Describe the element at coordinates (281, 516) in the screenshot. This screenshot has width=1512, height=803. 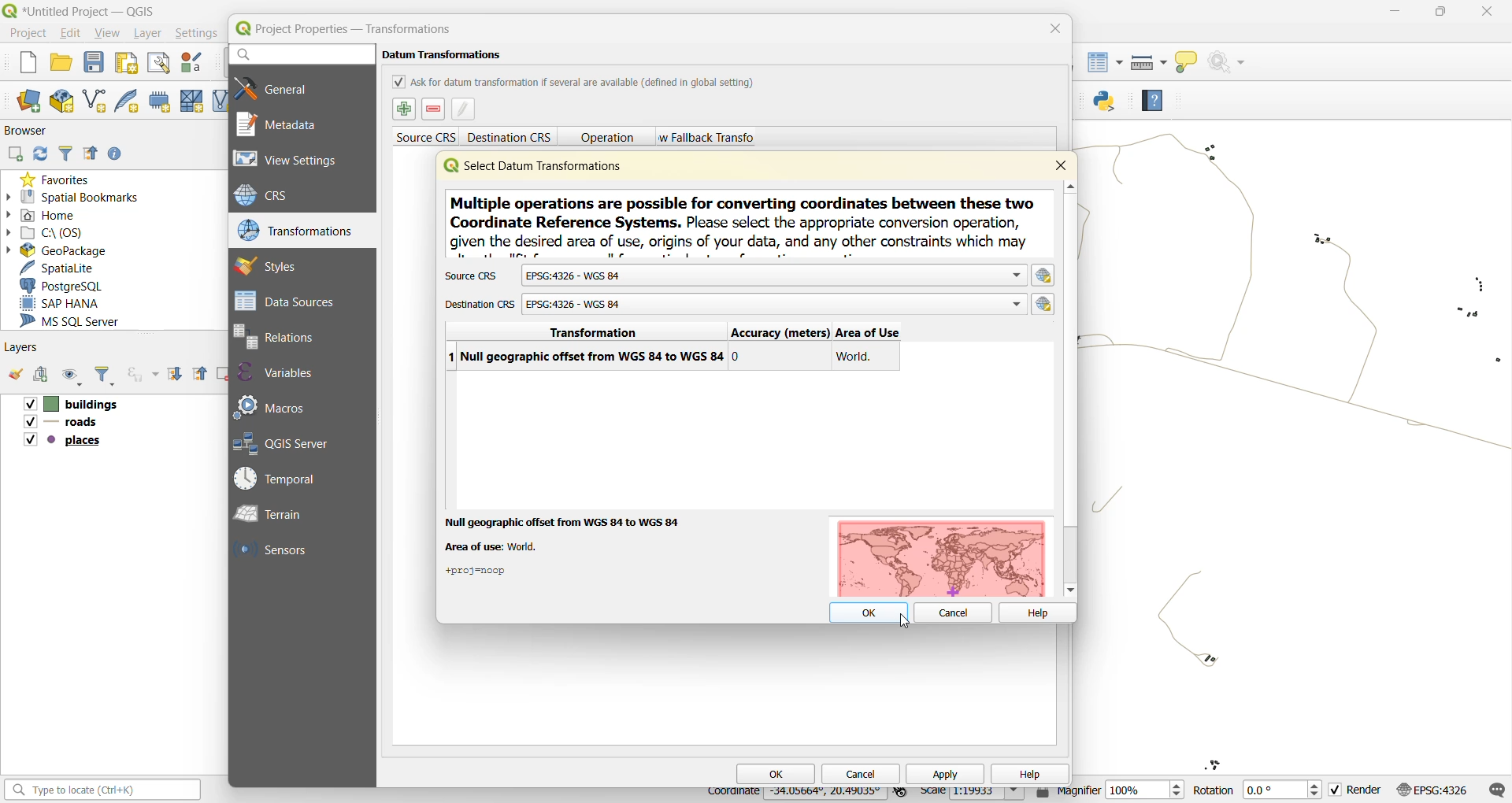
I see `terrain` at that location.